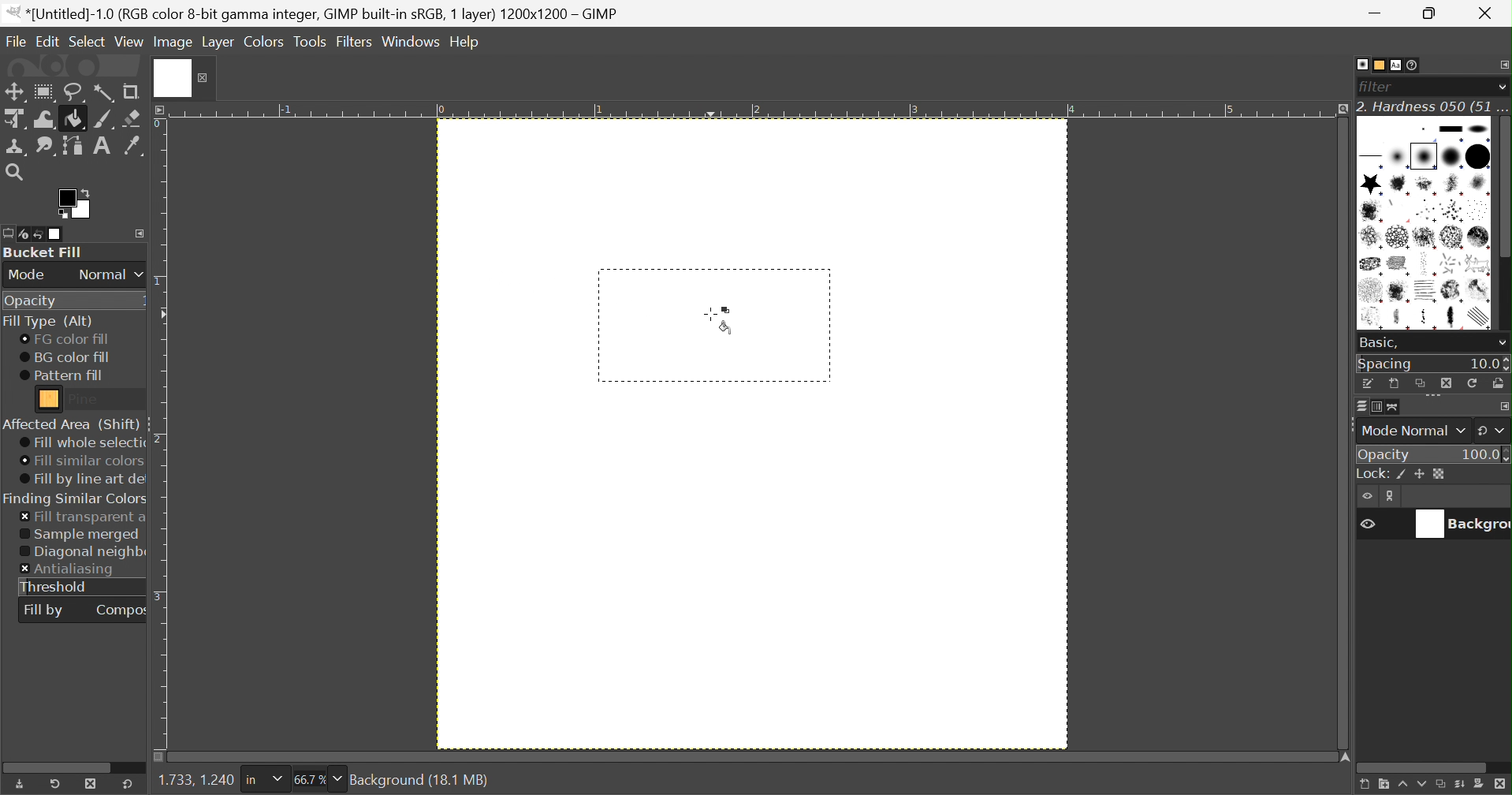  I want to click on Block, so click(1372, 159).